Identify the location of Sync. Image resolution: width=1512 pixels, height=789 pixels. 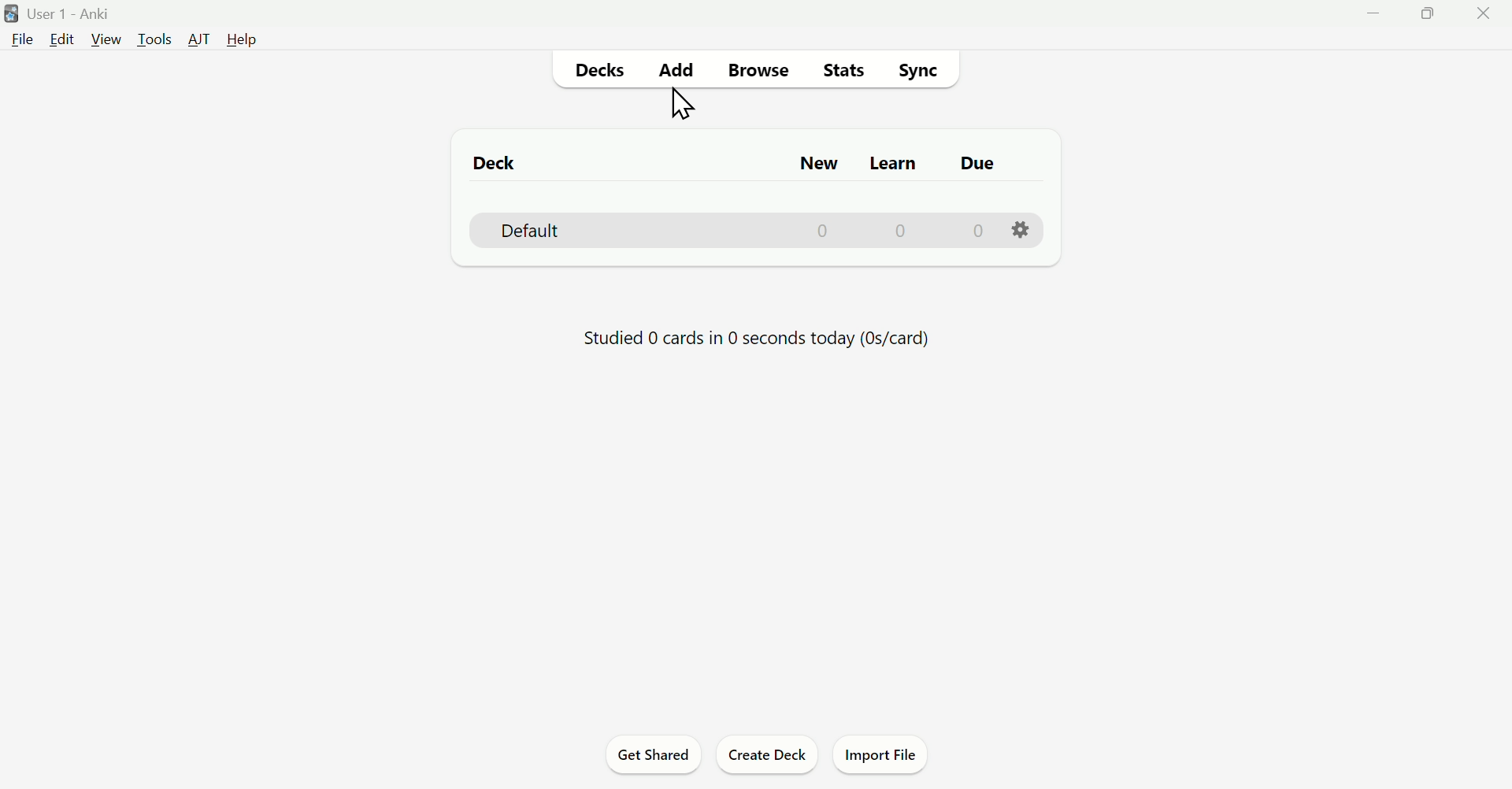
(918, 70).